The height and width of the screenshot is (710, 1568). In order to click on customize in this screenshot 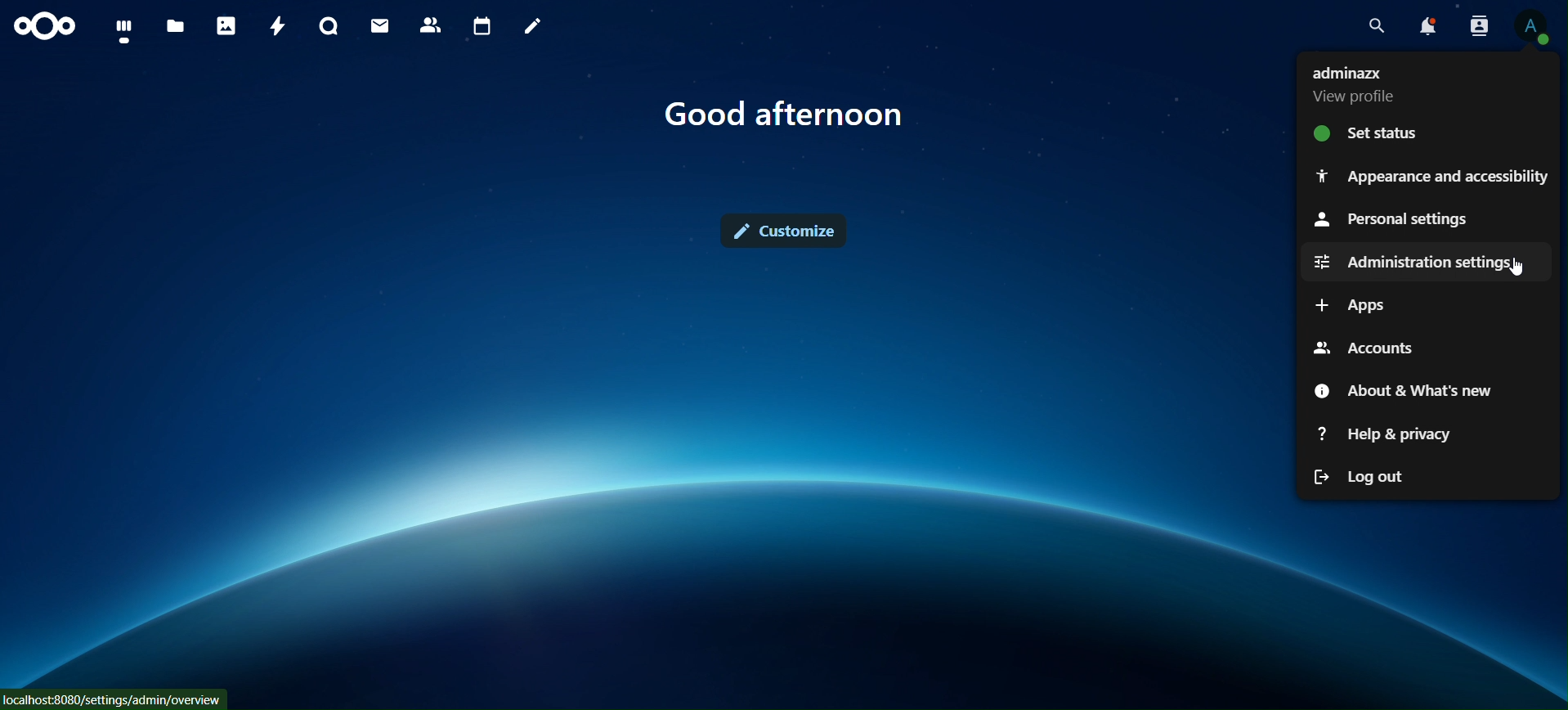, I will do `click(790, 231)`.